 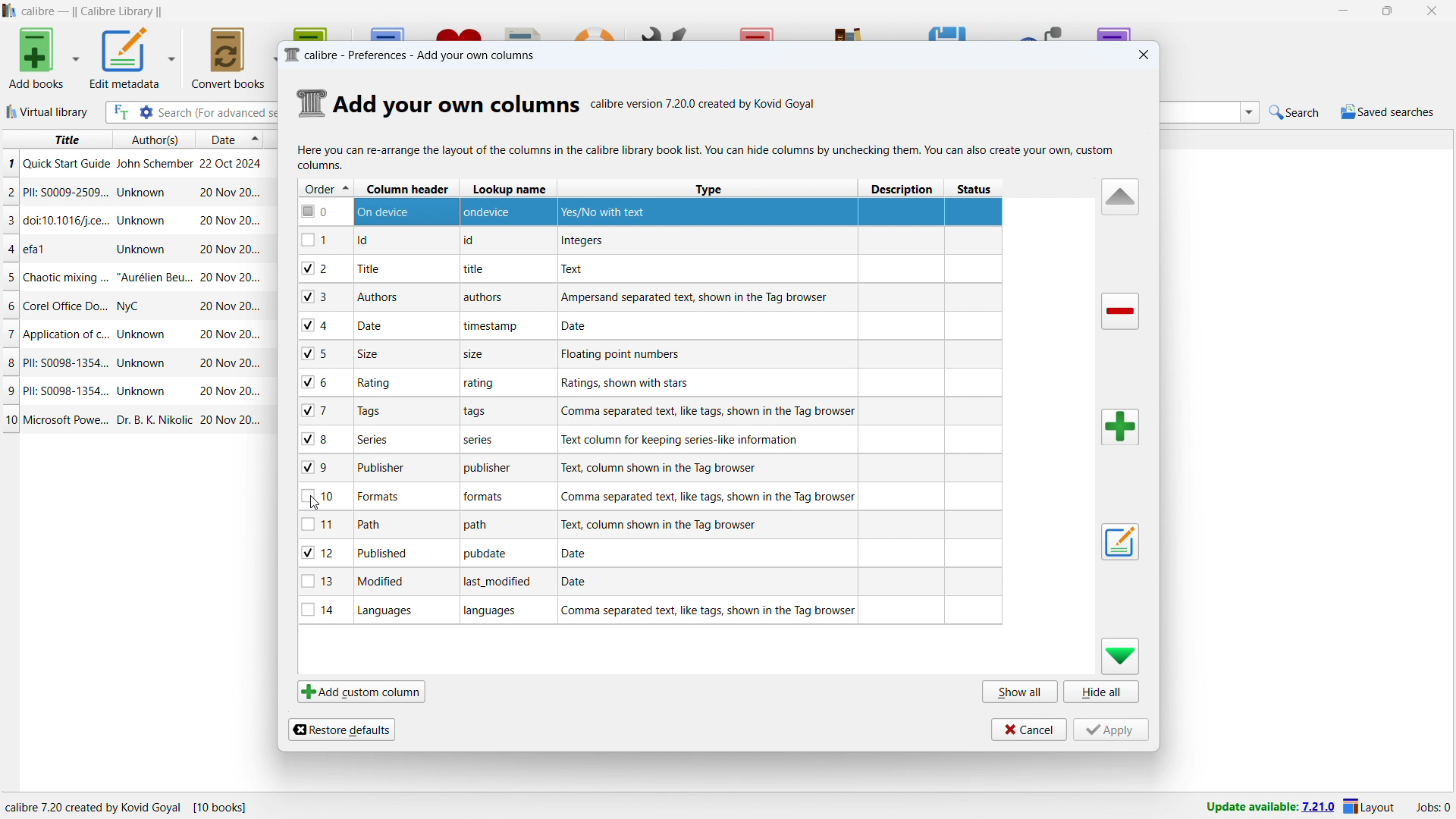 What do you see at coordinates (652, 613) in the screenshot?
I see `14 Languages languages Comma separated text, like tags, shown in the Tag browser` at bounding box center [652, 613].